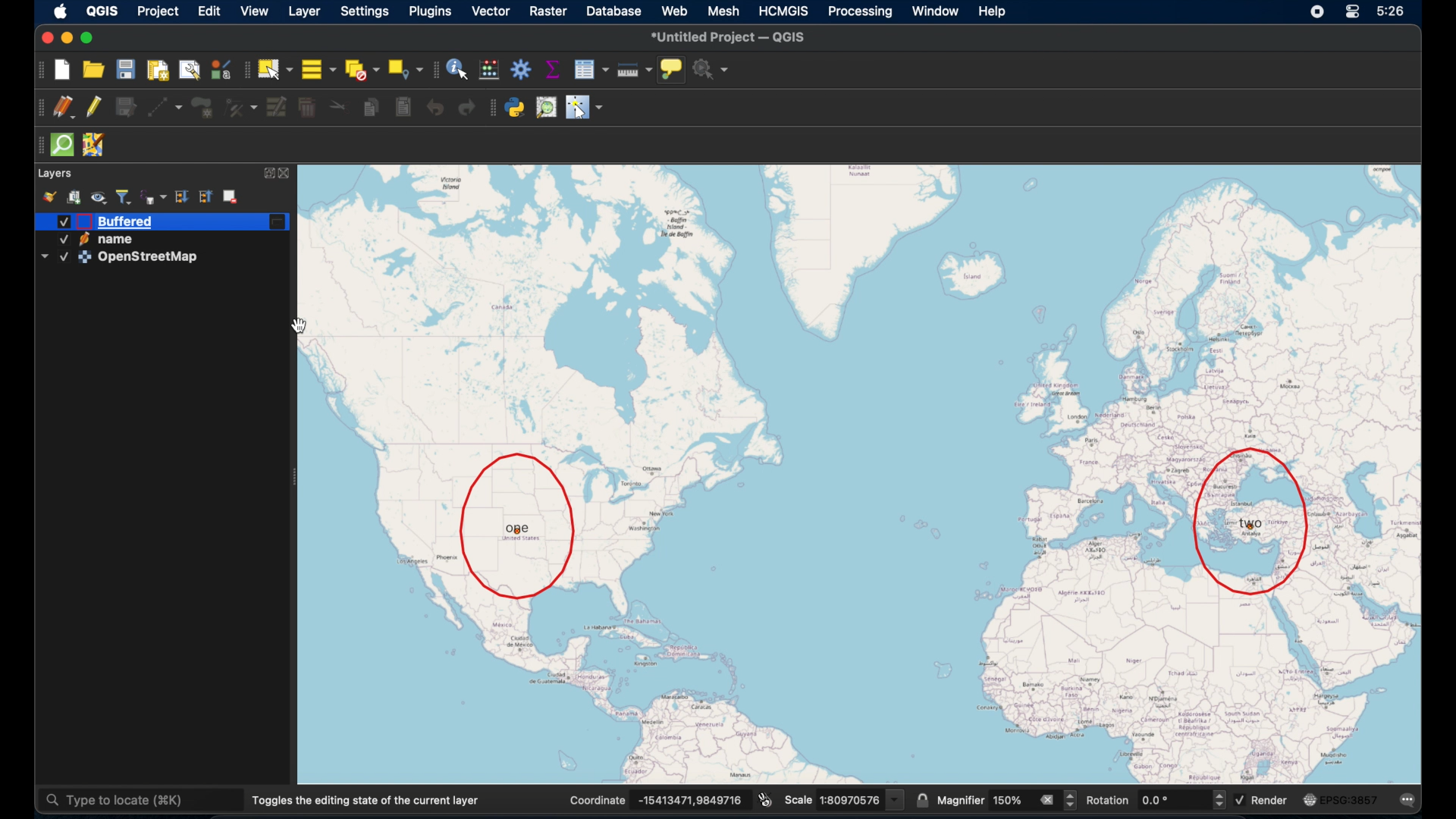 This screenshot has height=819, width=1456. I want to click on modify attributes, so click(276, 105).